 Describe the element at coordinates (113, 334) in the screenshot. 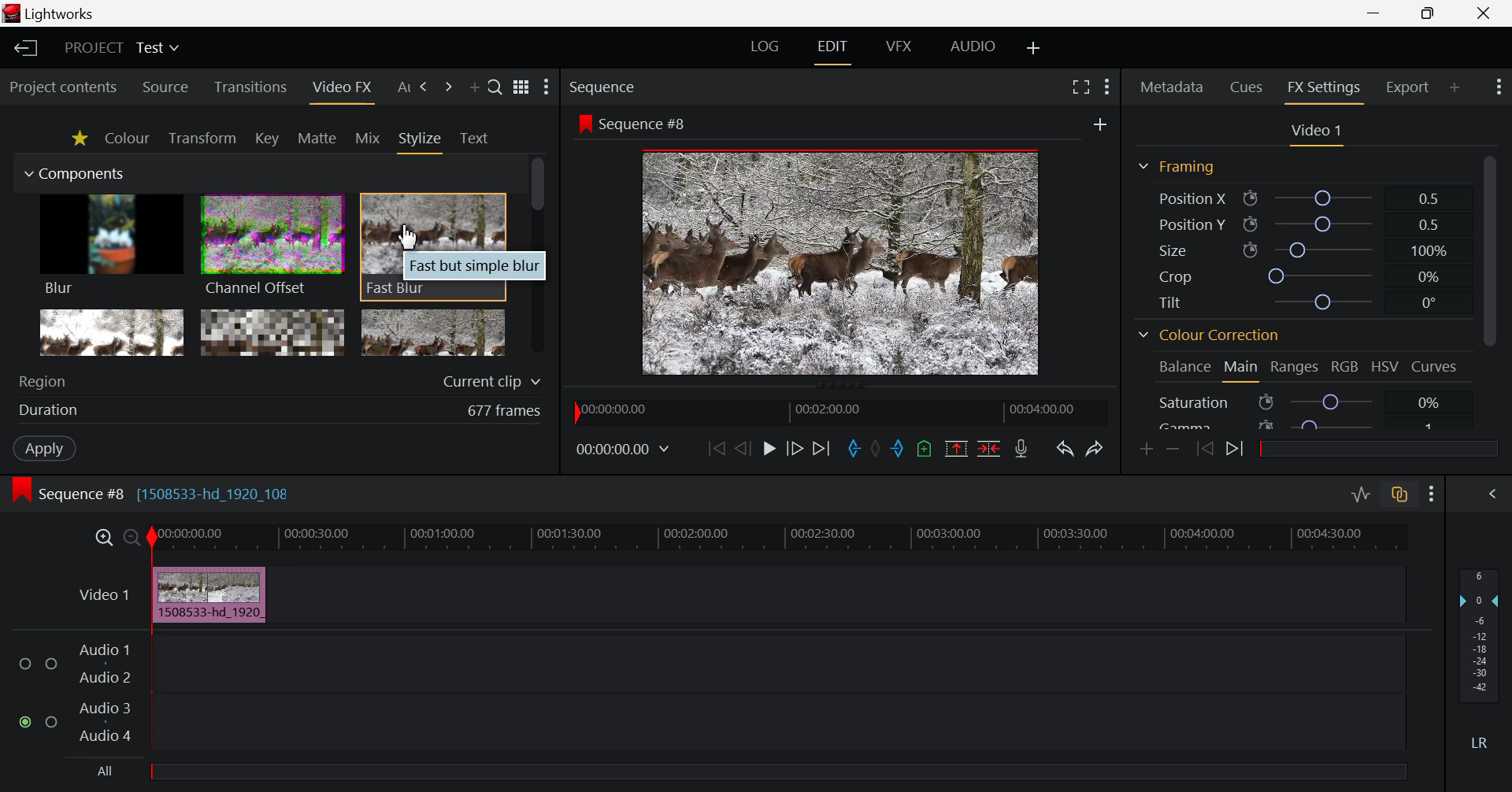

I see `Glow` at that location.